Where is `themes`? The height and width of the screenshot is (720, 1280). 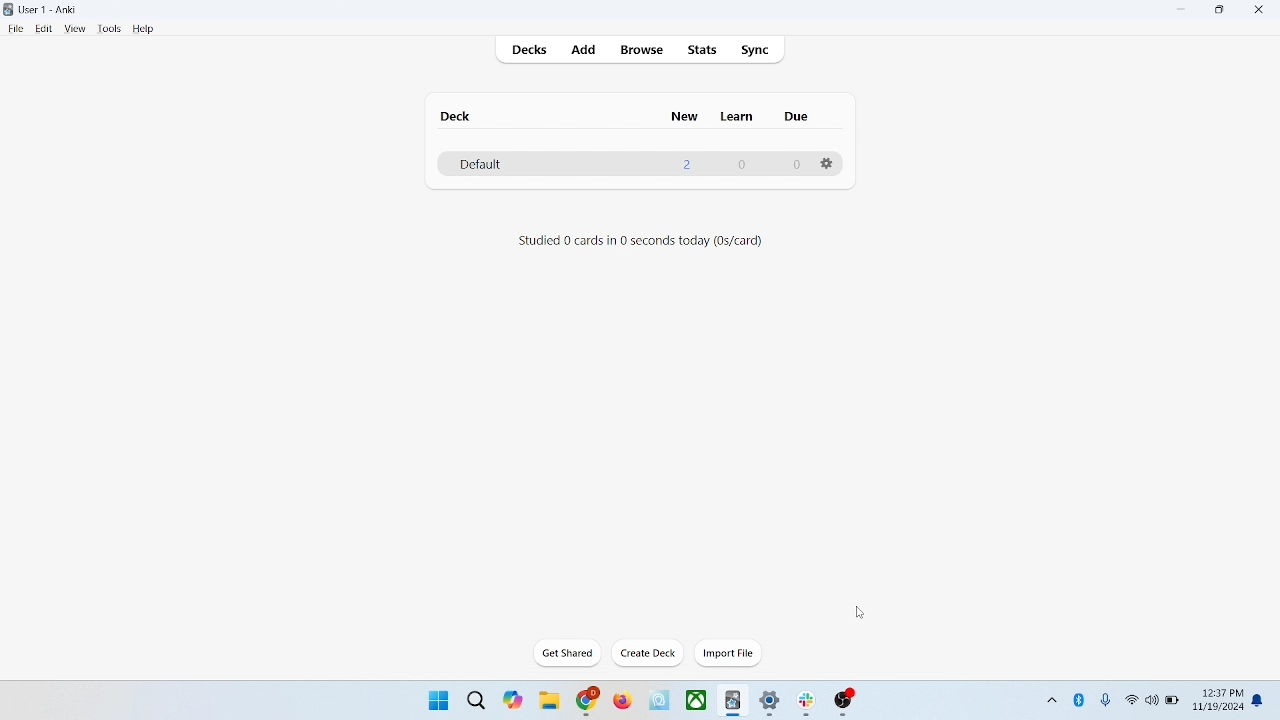 themes is located at coordinates (513, 700).